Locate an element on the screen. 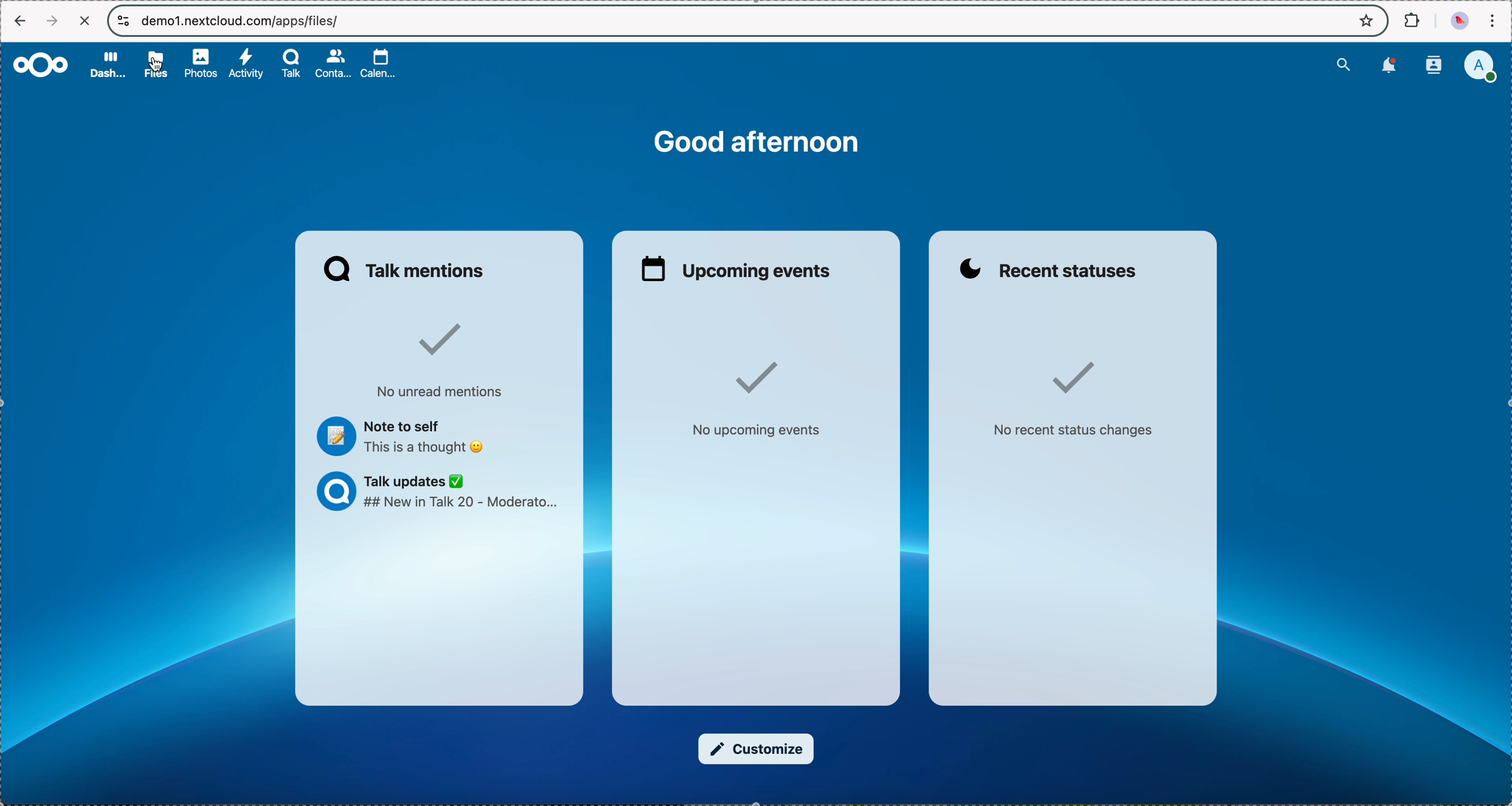  profile picture is located at coordinates (1458, 21).